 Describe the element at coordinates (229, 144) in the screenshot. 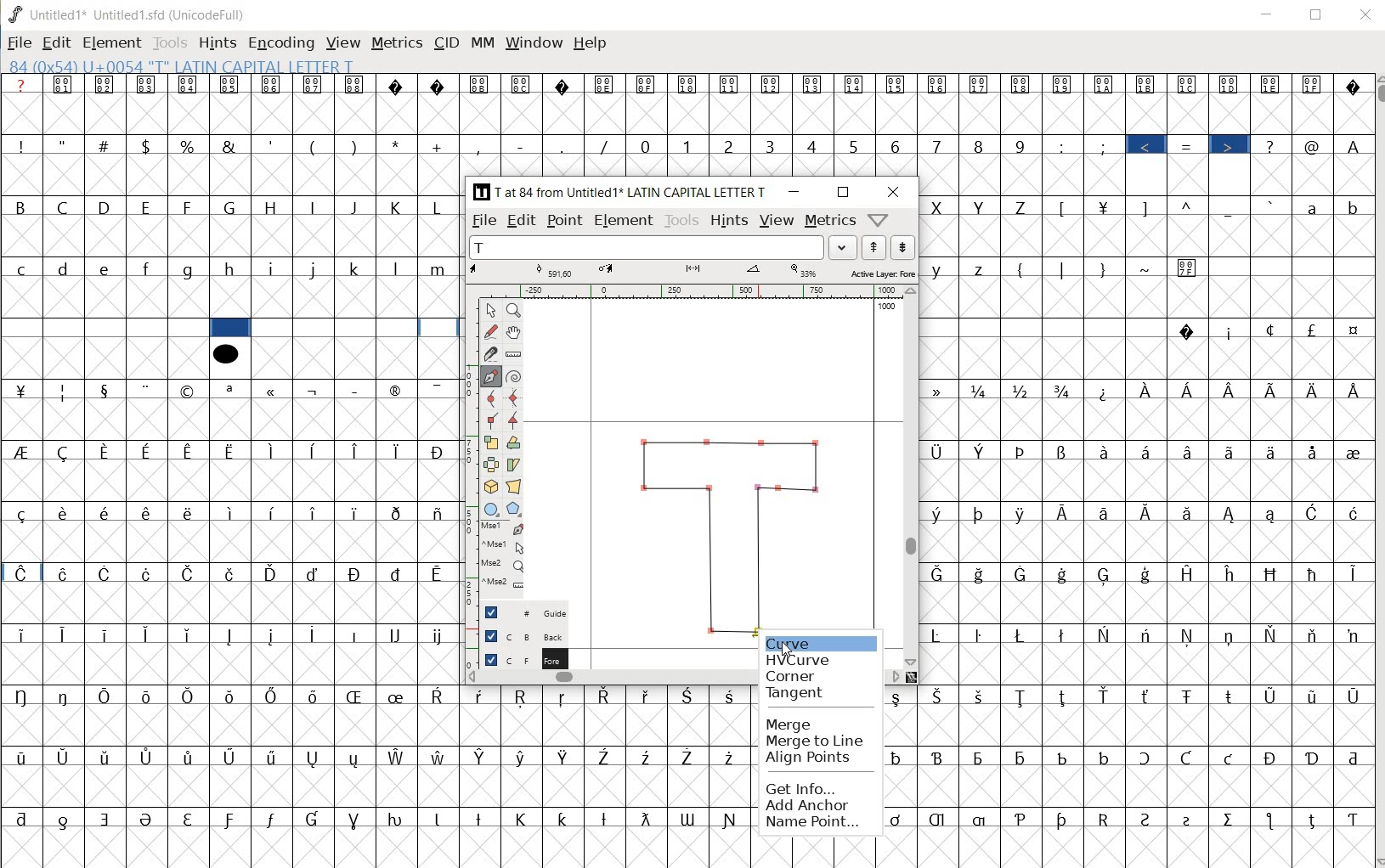

I see `&` at that location.